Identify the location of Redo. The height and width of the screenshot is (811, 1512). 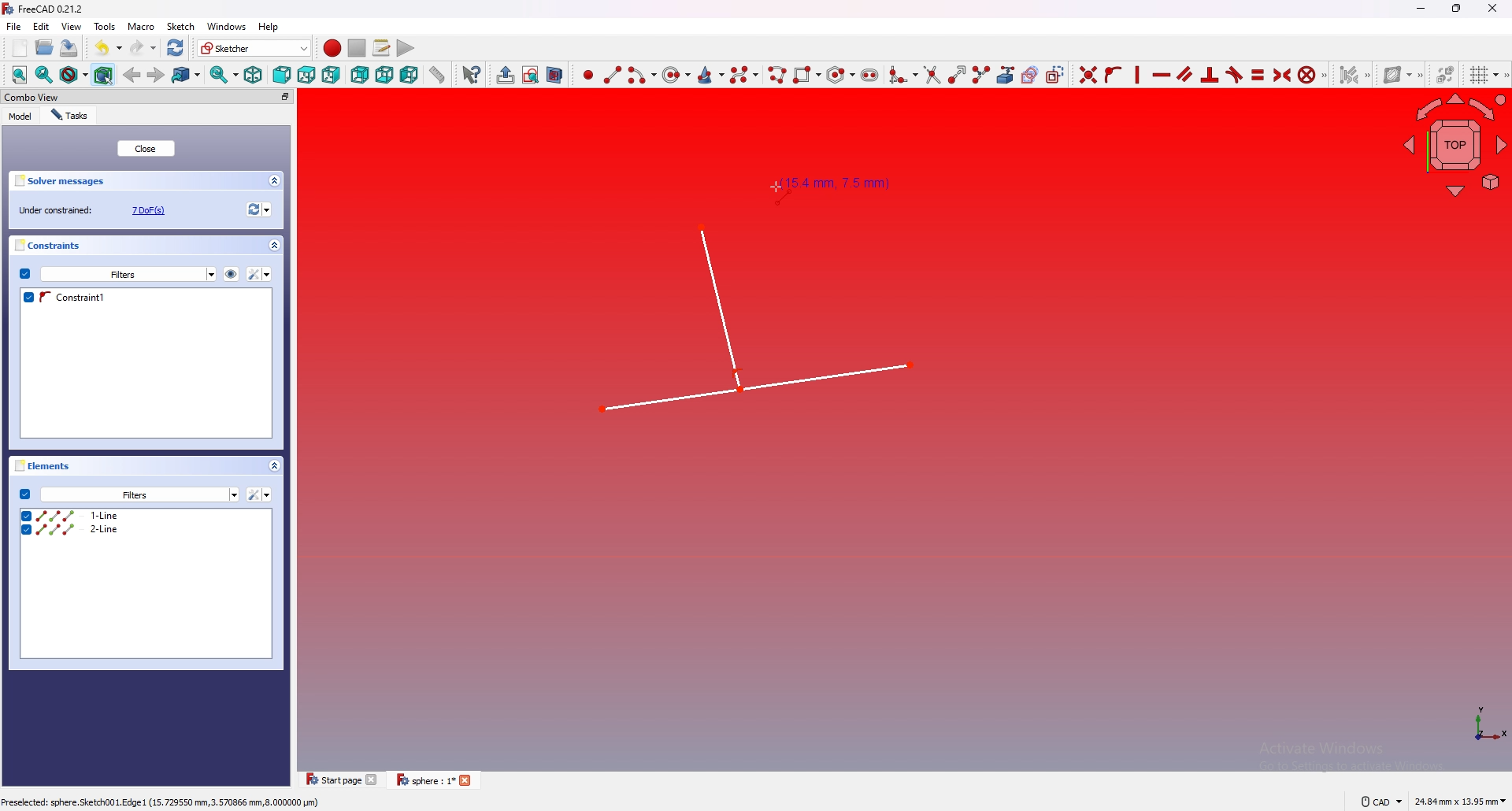
(142, 46).